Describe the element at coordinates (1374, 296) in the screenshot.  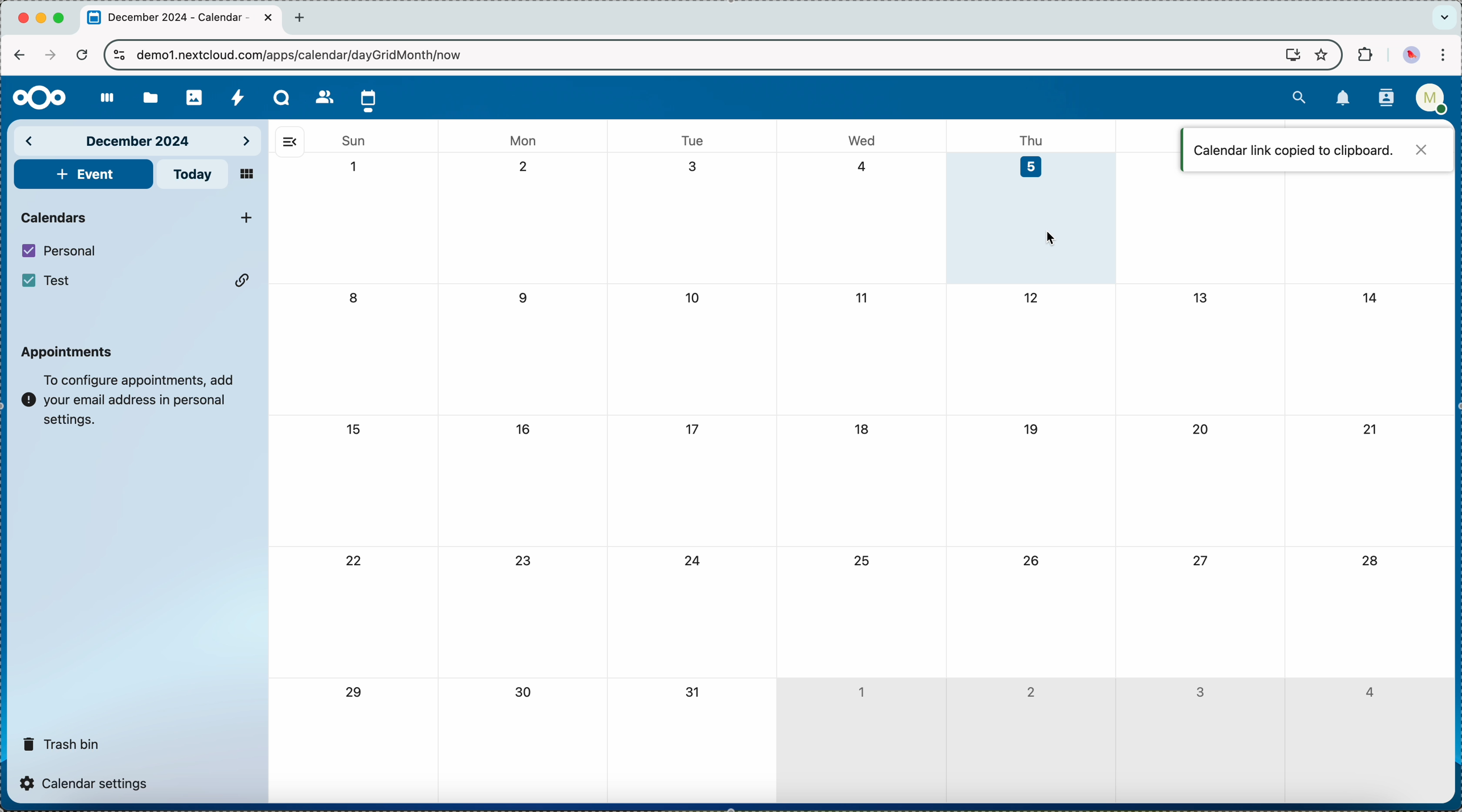
I see `14` at that location.